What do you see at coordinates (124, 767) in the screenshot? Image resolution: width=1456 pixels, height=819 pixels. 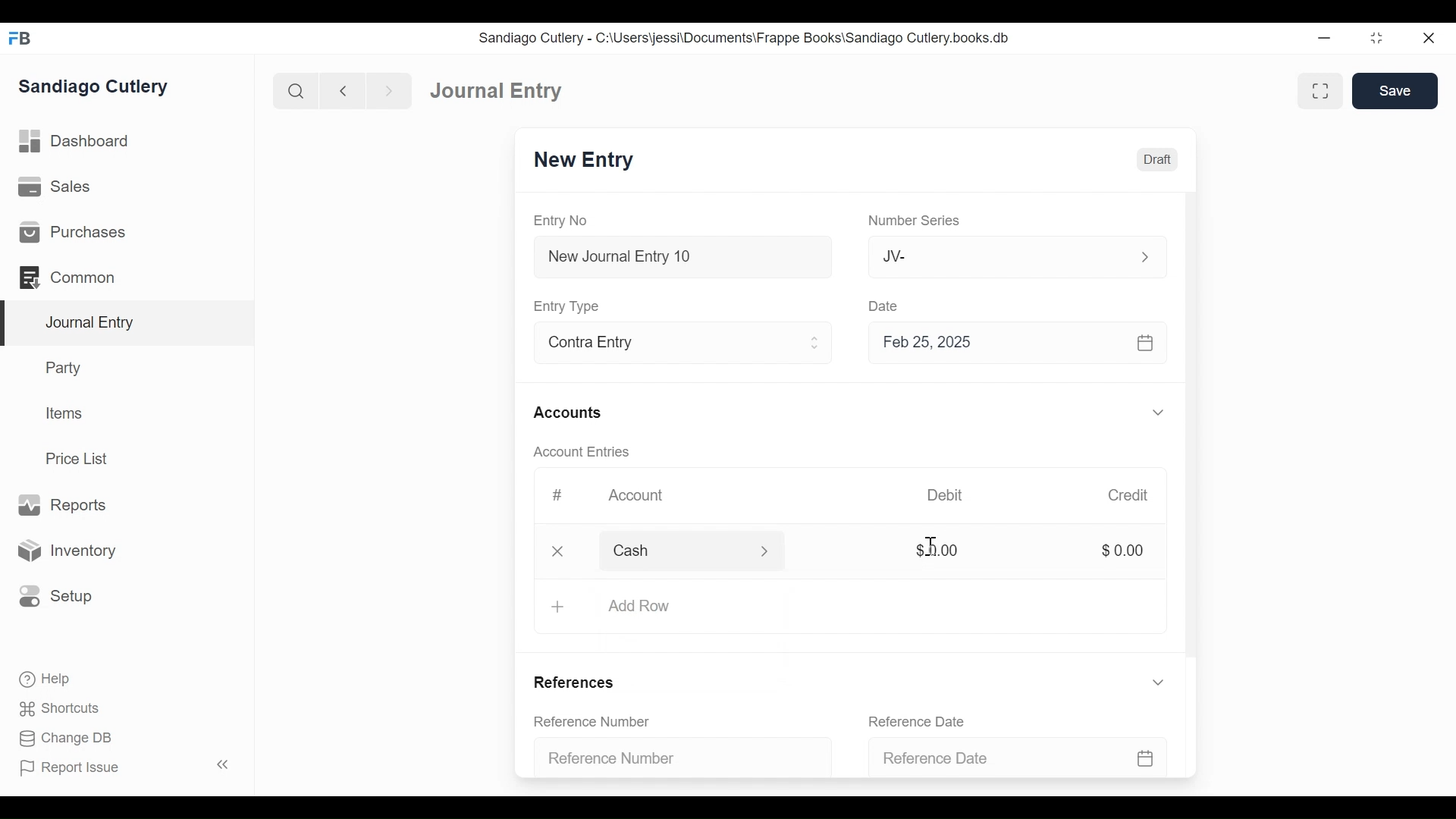 I see `Report Issue` at bounding box center [124, 767].